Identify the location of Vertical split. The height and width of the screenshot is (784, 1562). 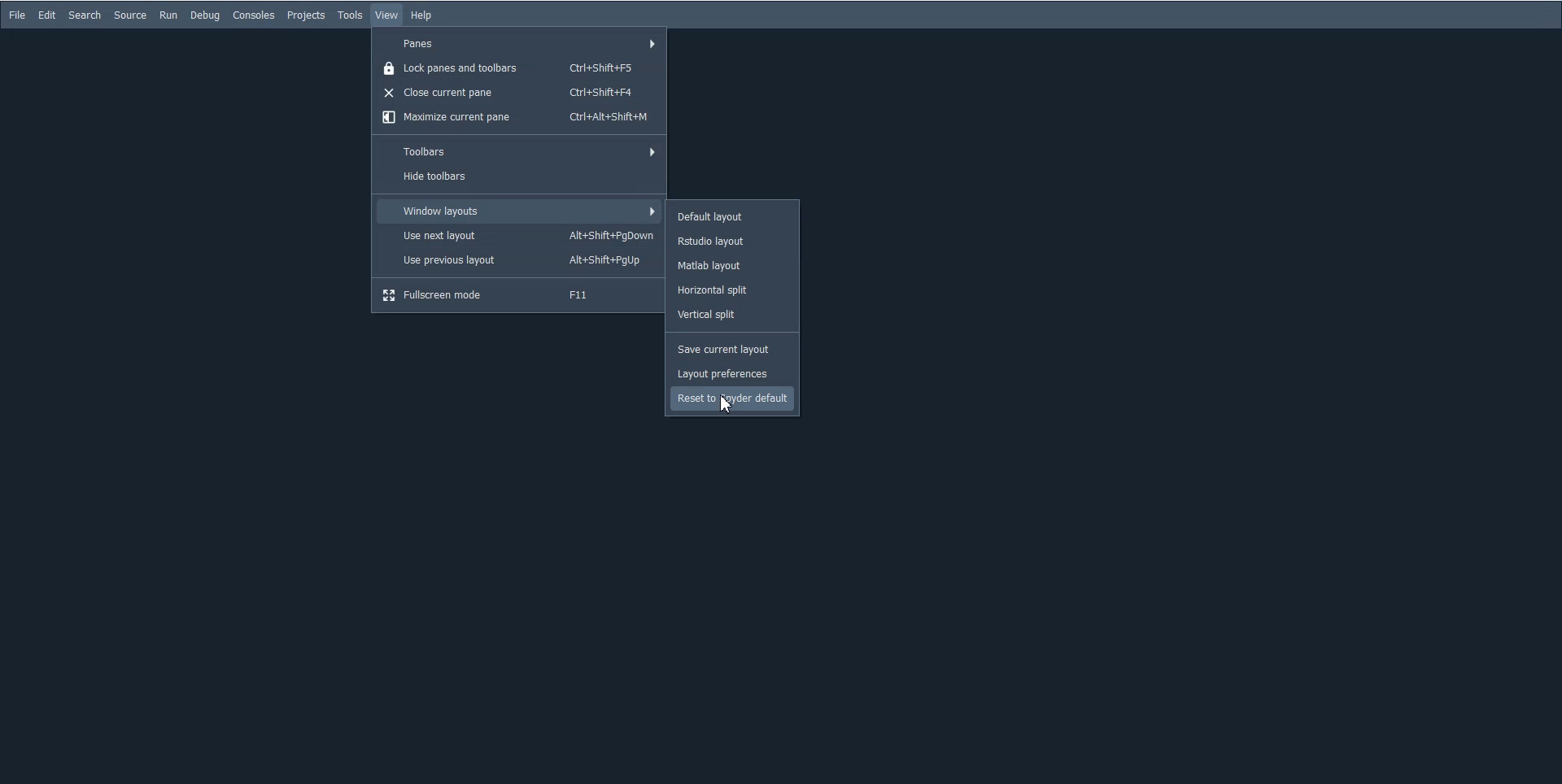
(734, 316).